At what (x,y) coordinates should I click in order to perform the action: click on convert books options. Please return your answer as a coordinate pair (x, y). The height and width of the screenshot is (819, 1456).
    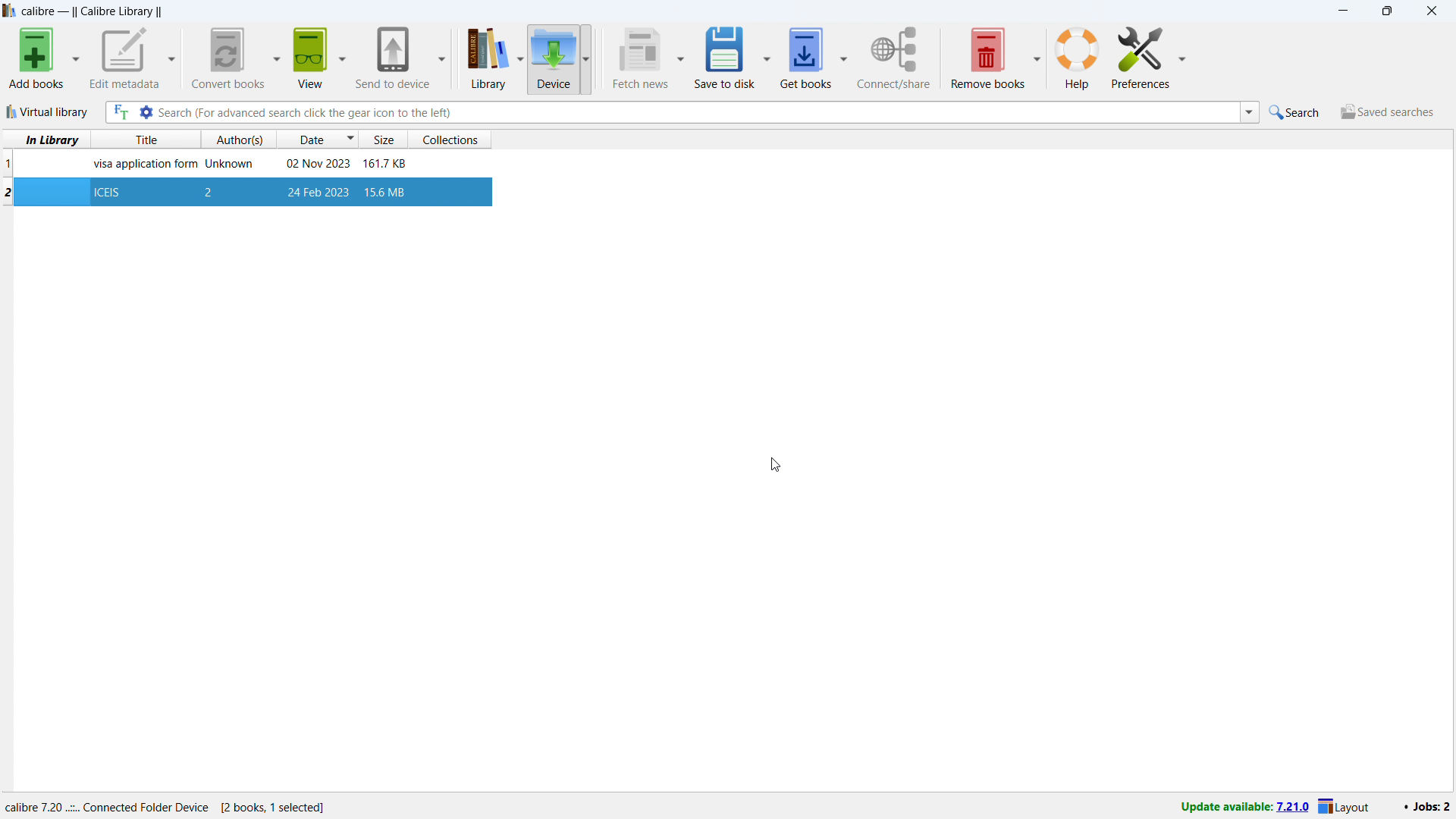
    Looking at the image, I should click on (275, 57).